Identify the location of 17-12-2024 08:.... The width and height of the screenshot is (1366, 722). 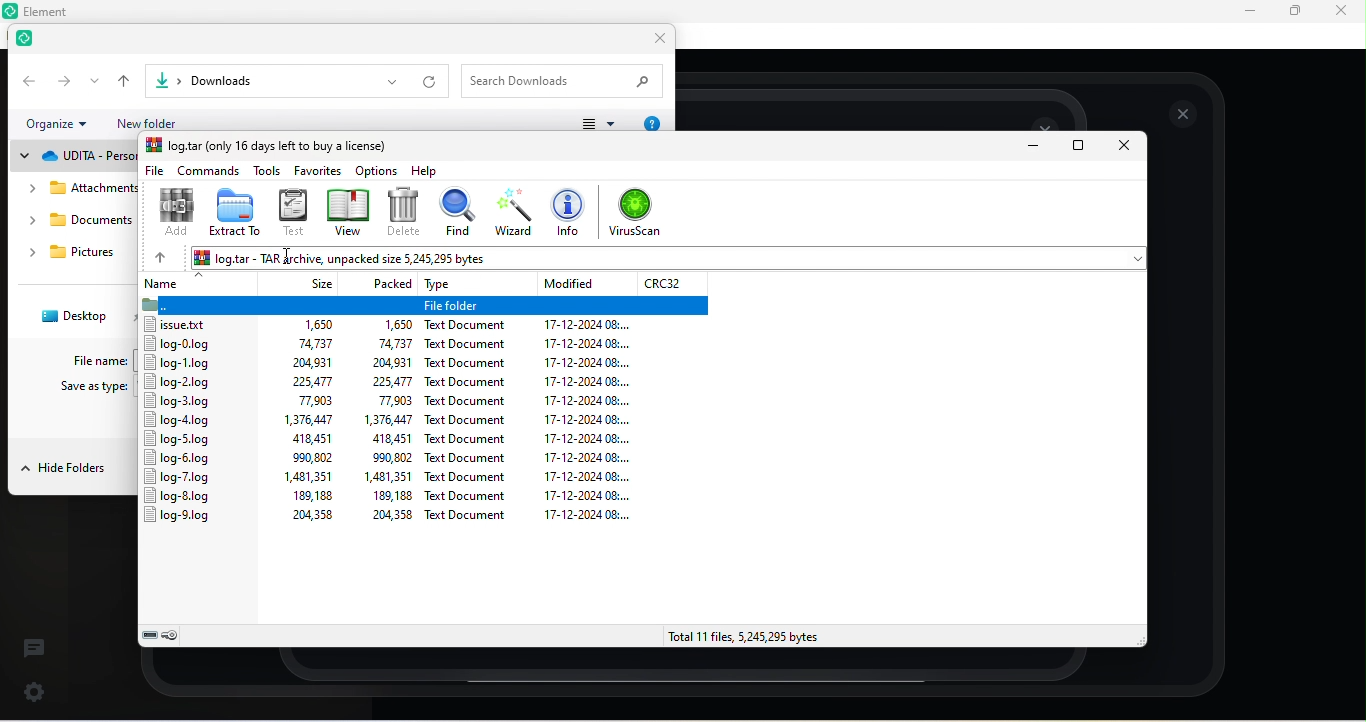
(591, 477).